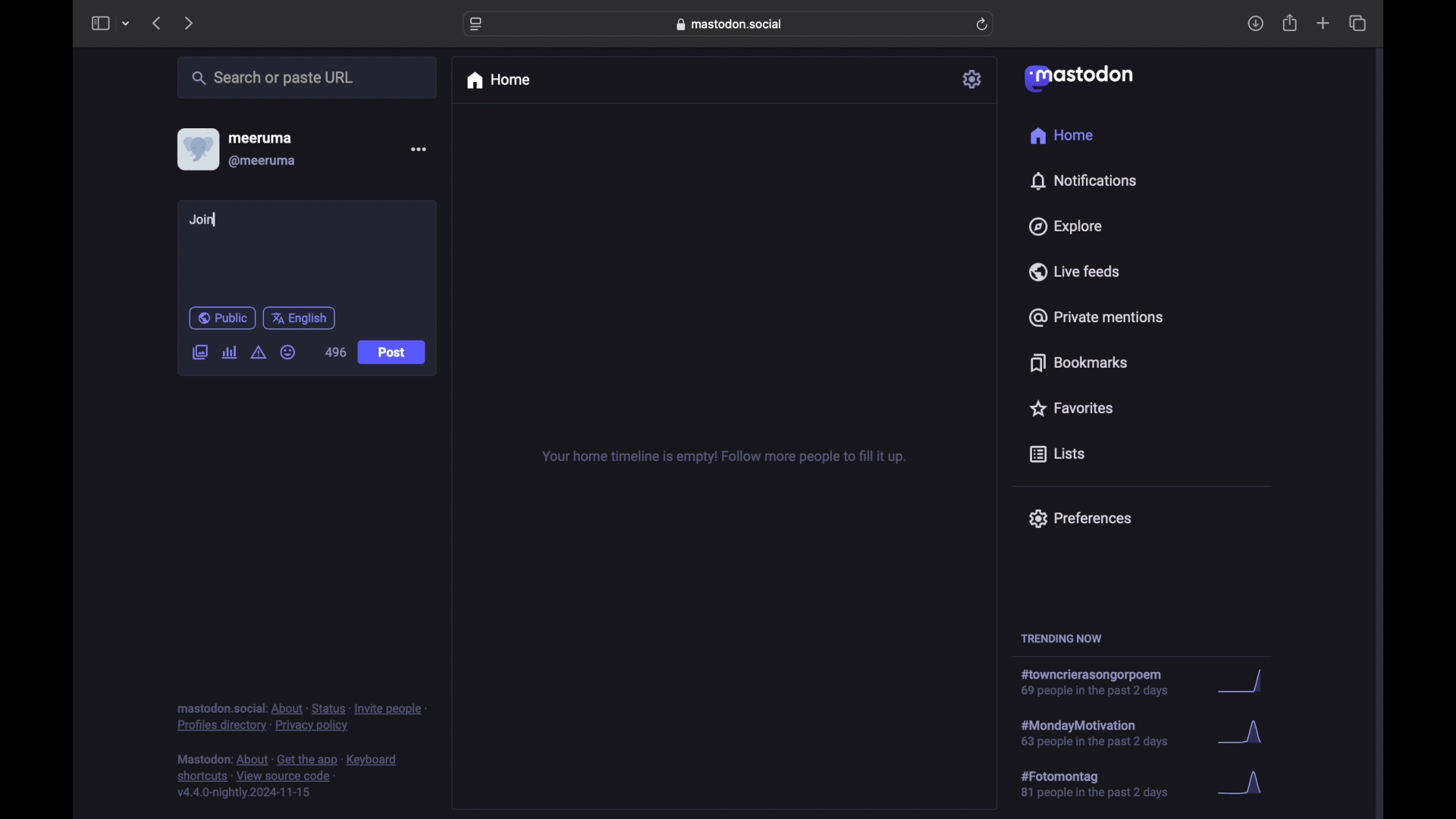 The image size is (1456, 819). Describe the element at coordinates (1291, 24) in the screenshot. I see `share` at that location.